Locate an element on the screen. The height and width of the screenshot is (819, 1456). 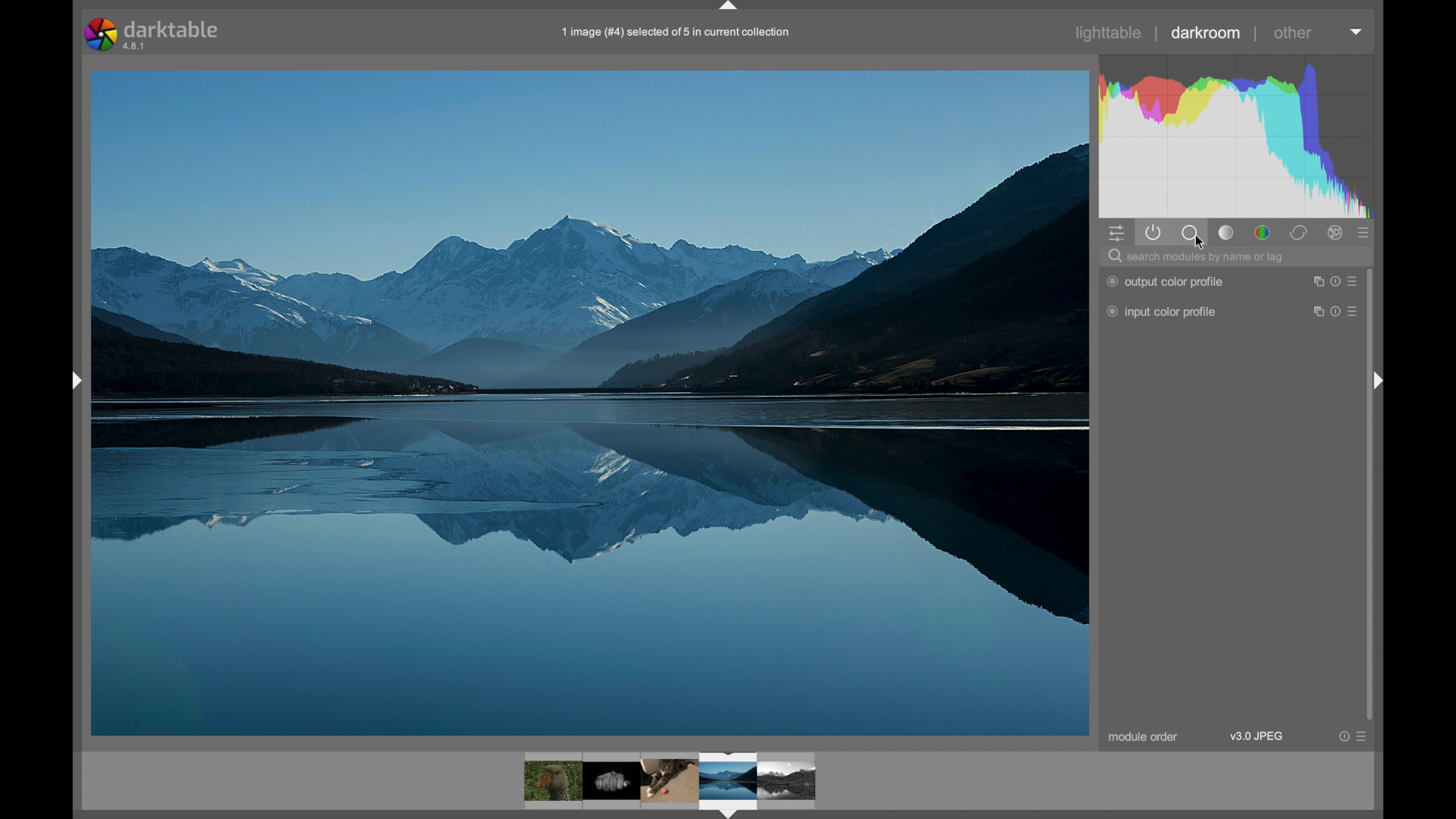
effect is located at coordinates (1336, 233).